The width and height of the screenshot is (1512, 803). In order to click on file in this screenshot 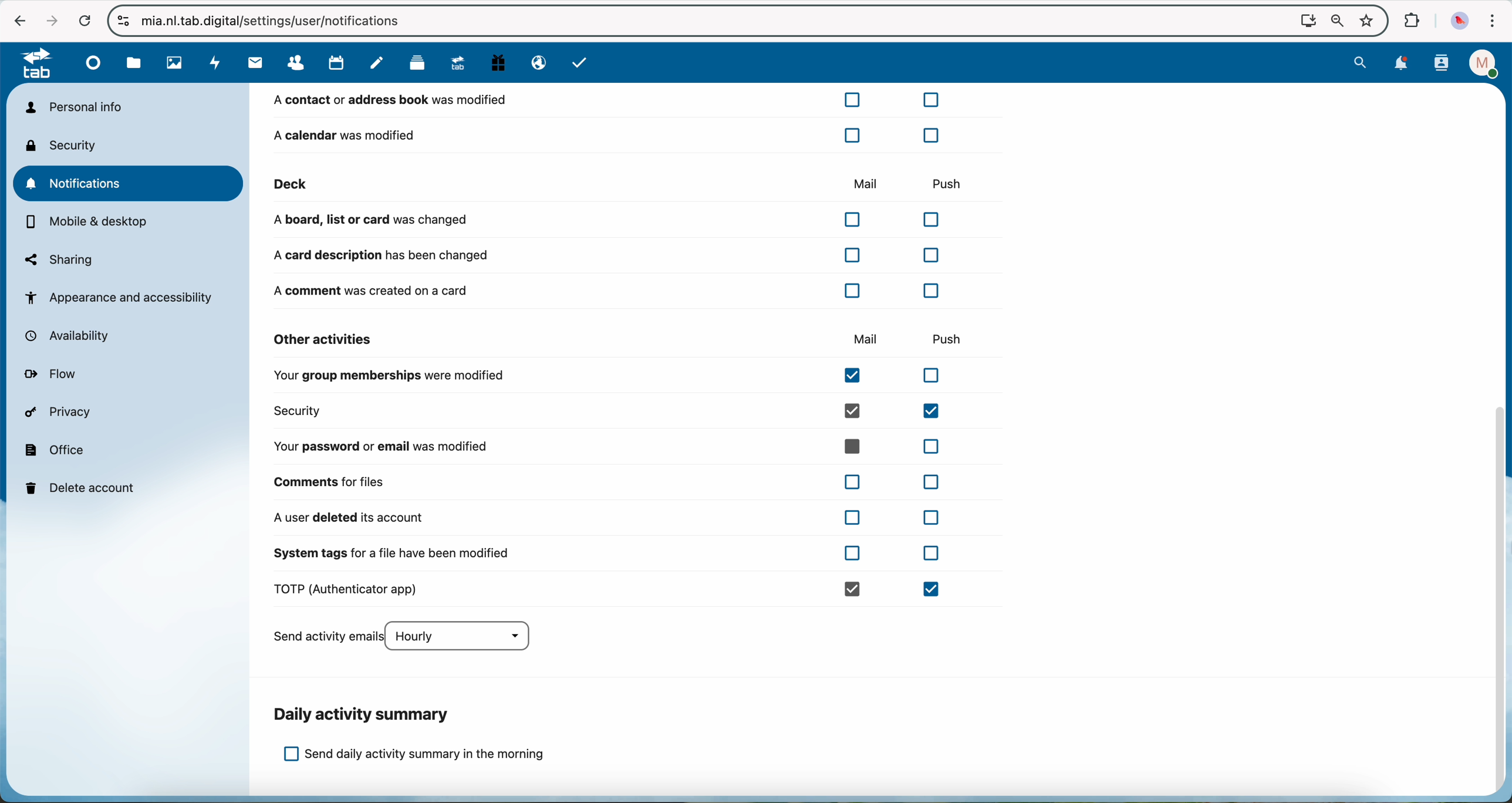, I will do `click(134, 63)`.